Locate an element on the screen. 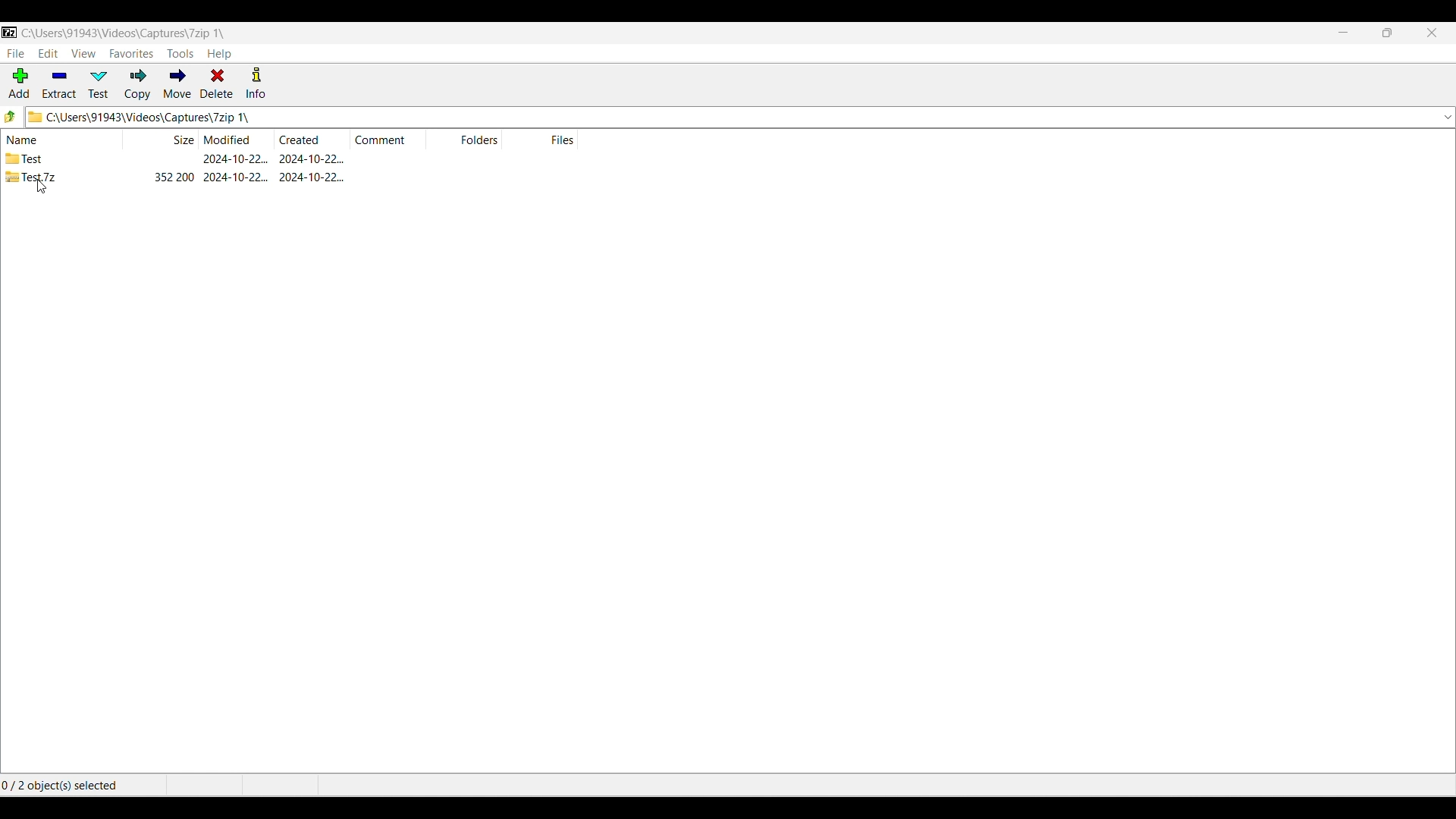 The height and width of the screenshot is (819, 1456). C:\Users\91943\Videos\Capture\7zip 1\ is located at coordinates (148, 117).